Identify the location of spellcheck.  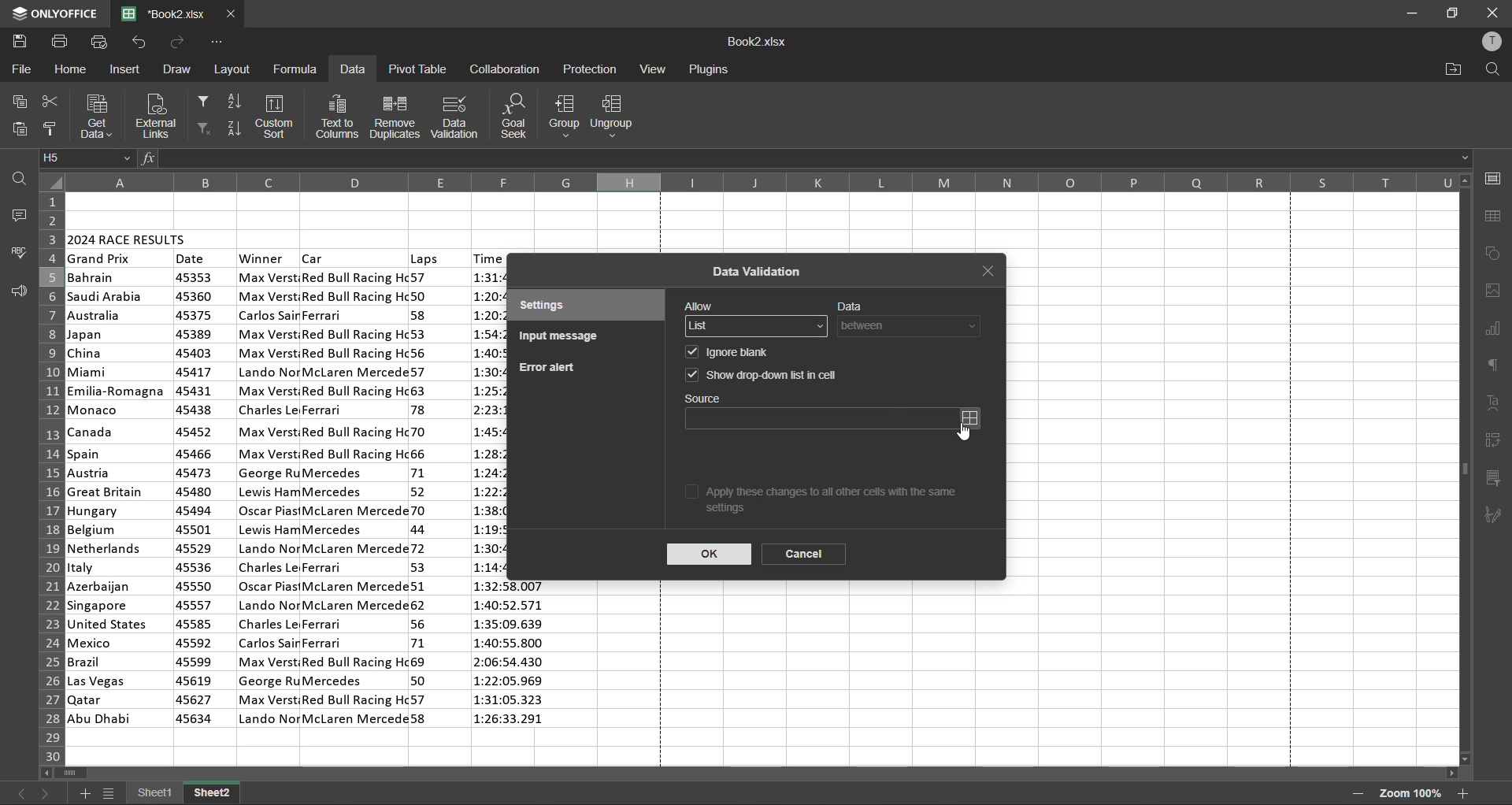
(20, 252).